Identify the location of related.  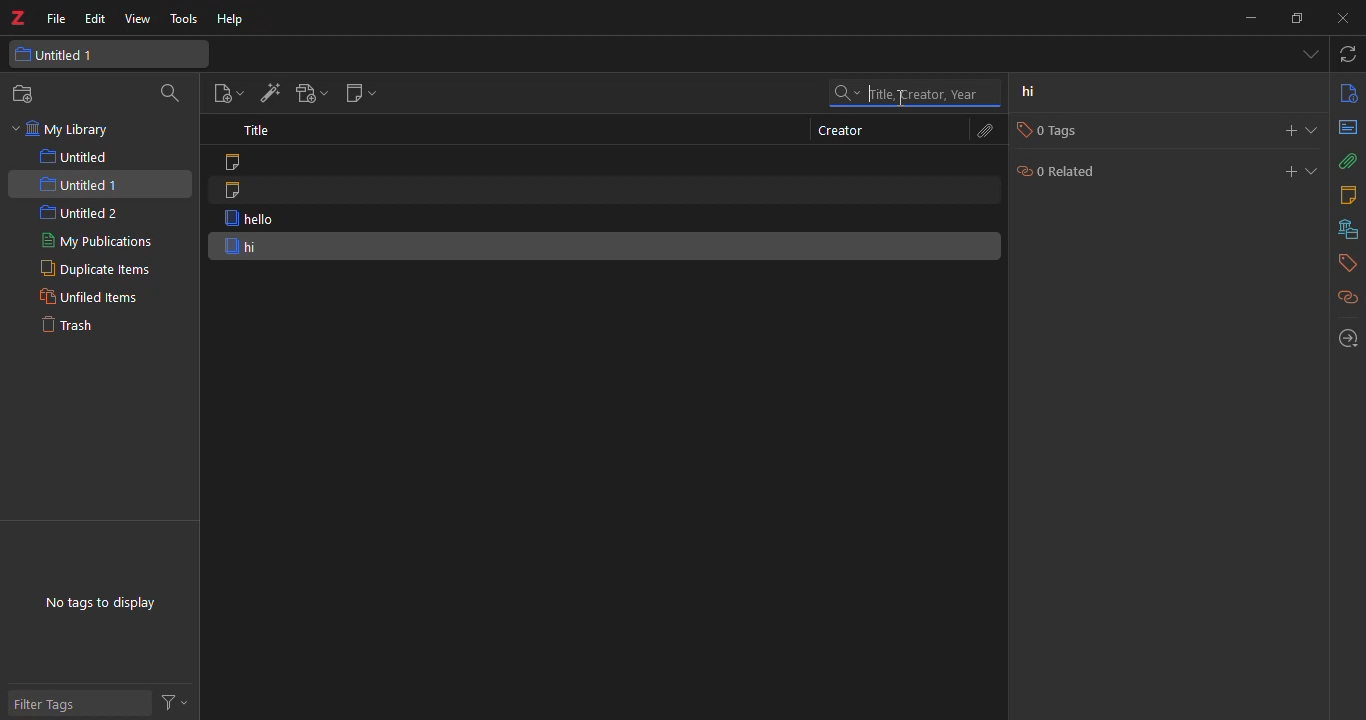
(1347, 298).